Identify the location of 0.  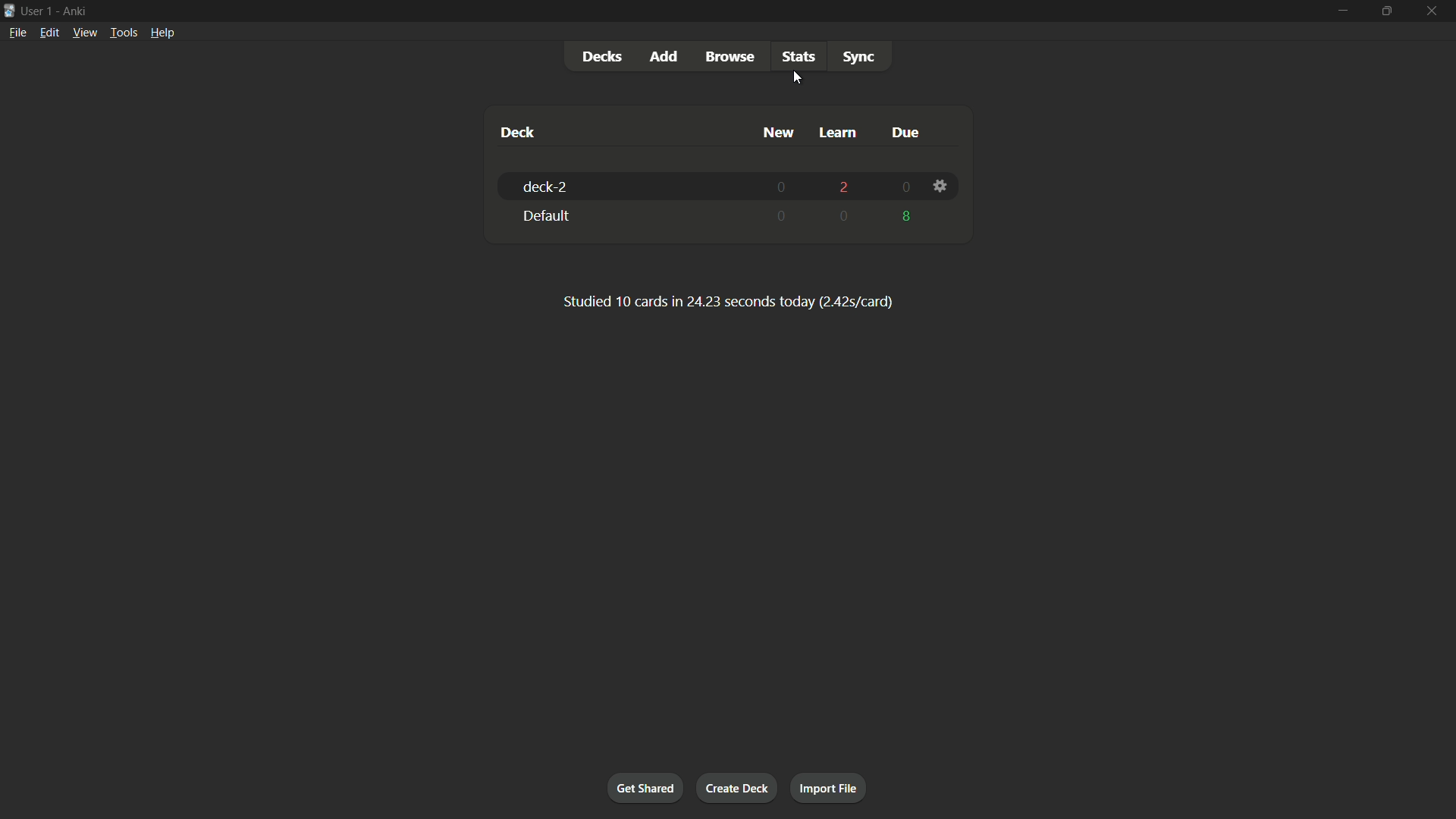
(782, 220).